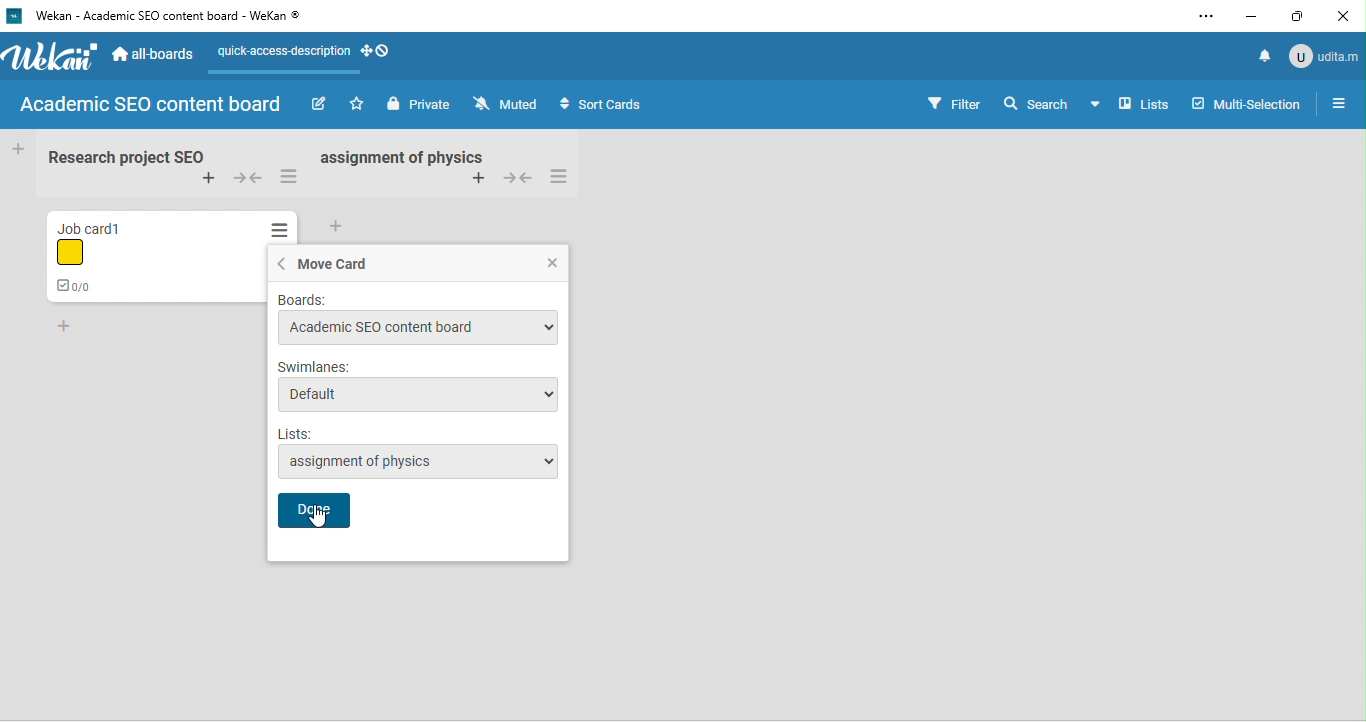  Describe the element at coordinates (337, 226) in the screenshot. I see `add card` at that location.